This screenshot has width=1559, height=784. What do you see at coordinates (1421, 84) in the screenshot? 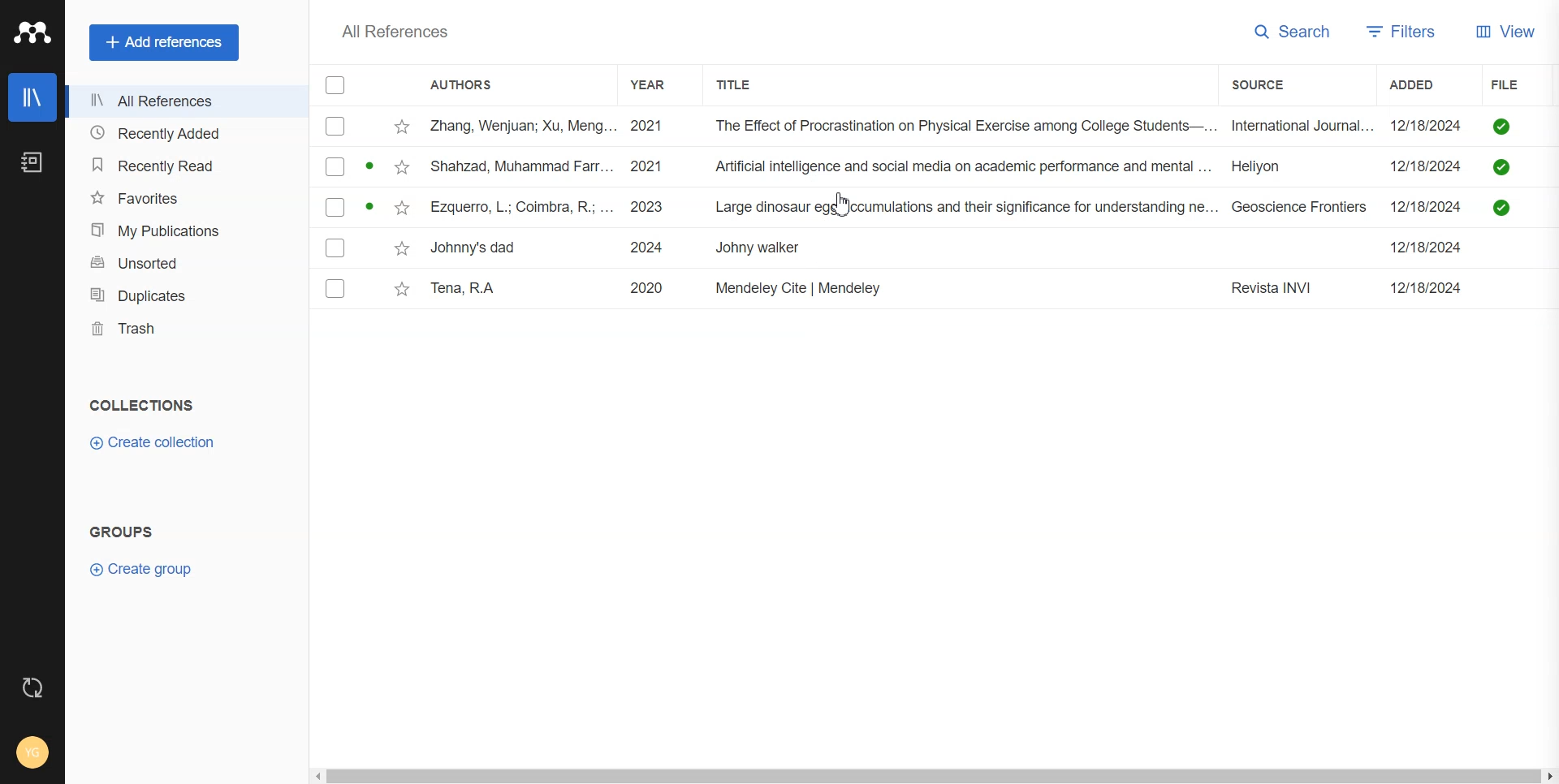
I see `Added` at bounding box center [1421, 84].